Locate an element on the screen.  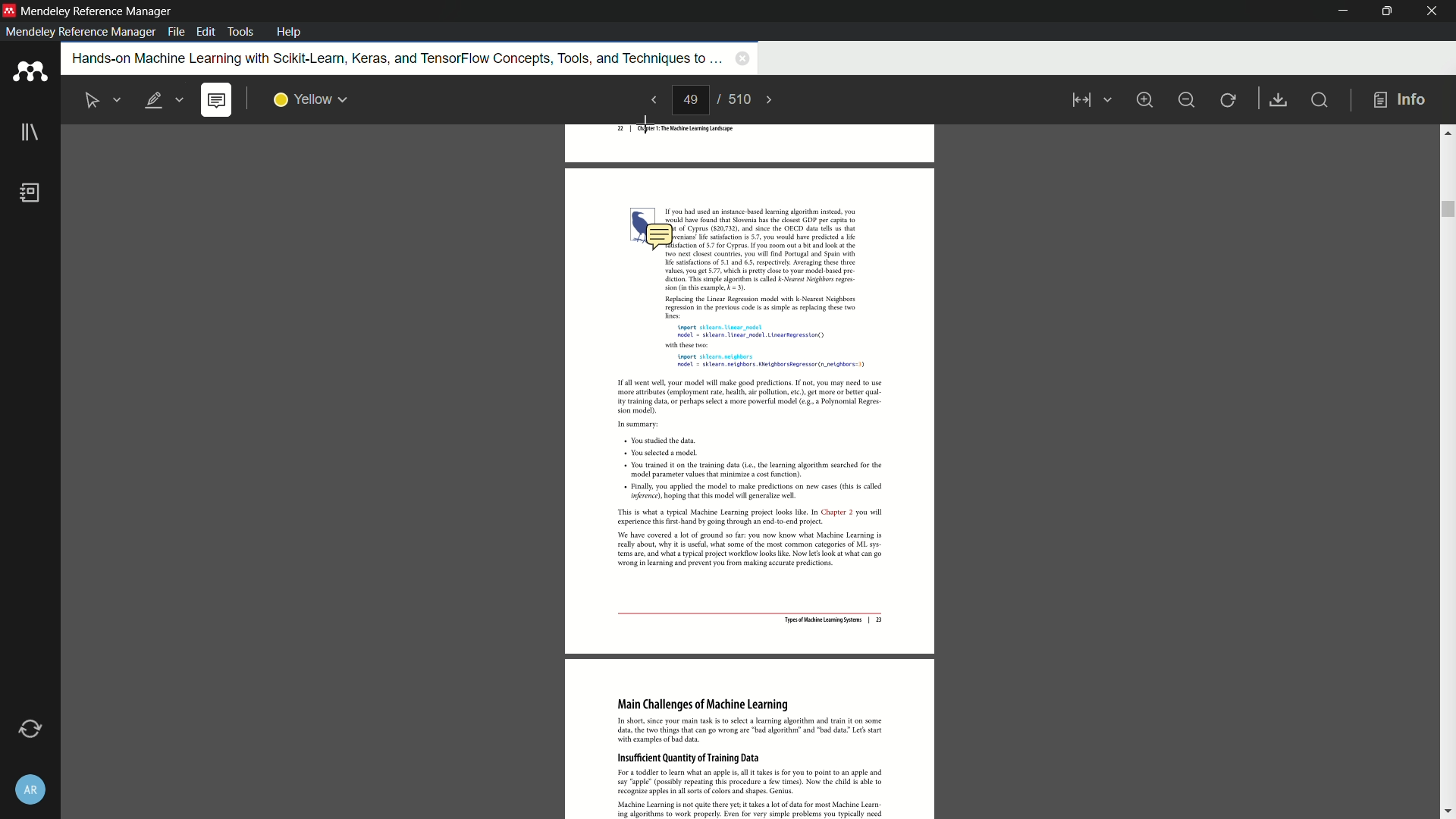
file menu is located at coordinates (174, 33).